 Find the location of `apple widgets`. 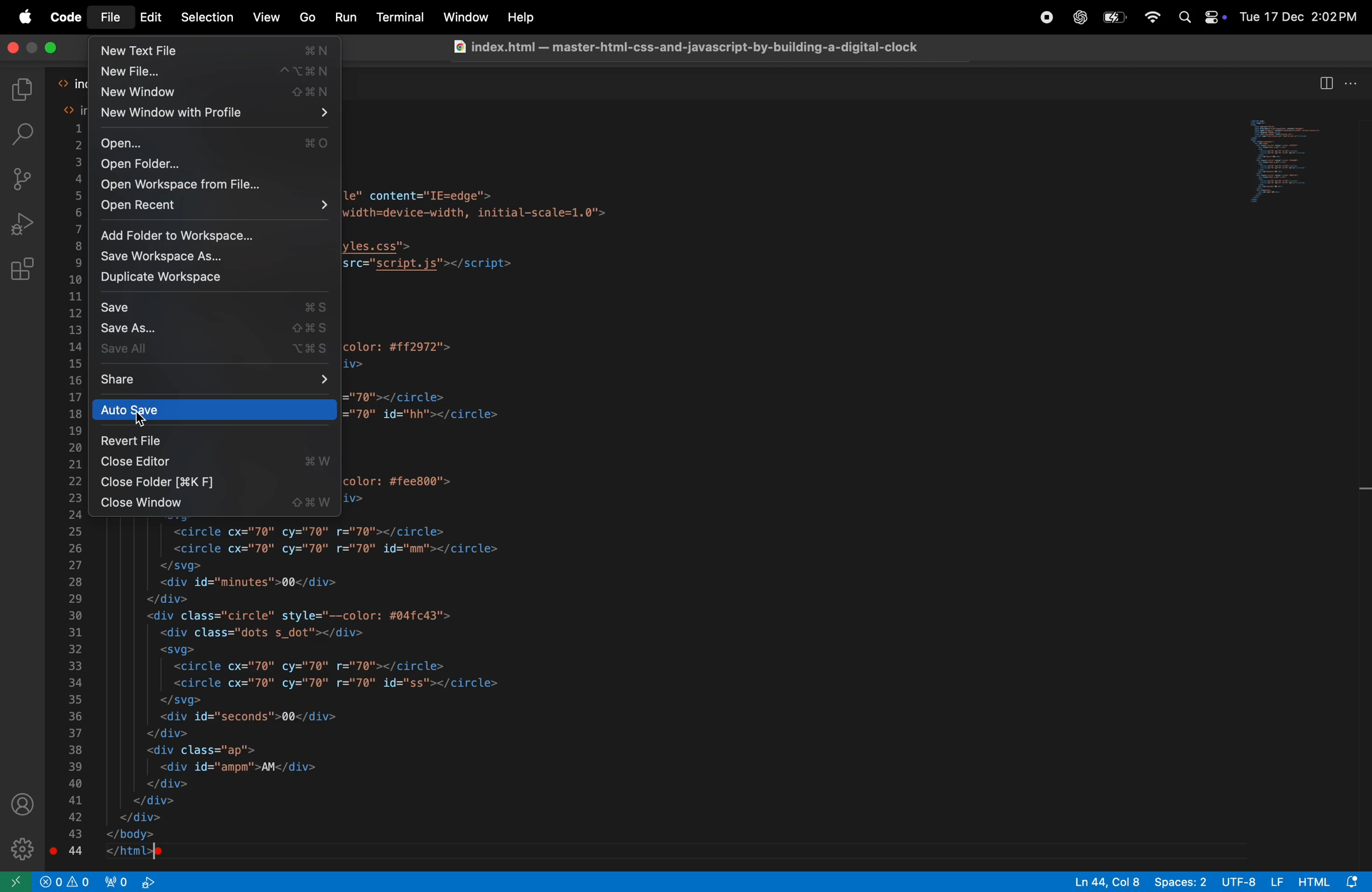

apple widgets is located at coordinates (1215, 19).